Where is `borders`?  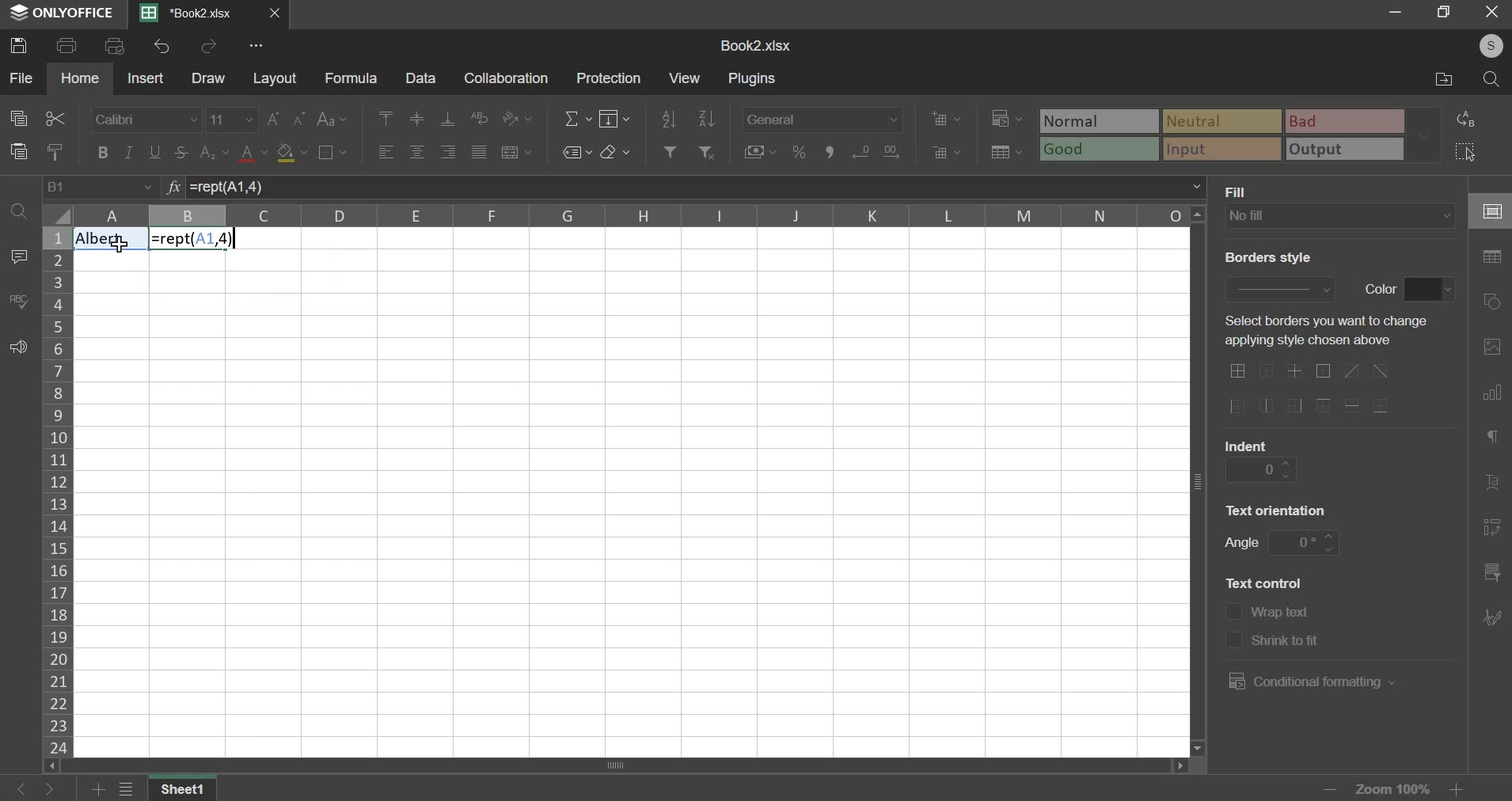 borders is located at coordinates (330, 152).